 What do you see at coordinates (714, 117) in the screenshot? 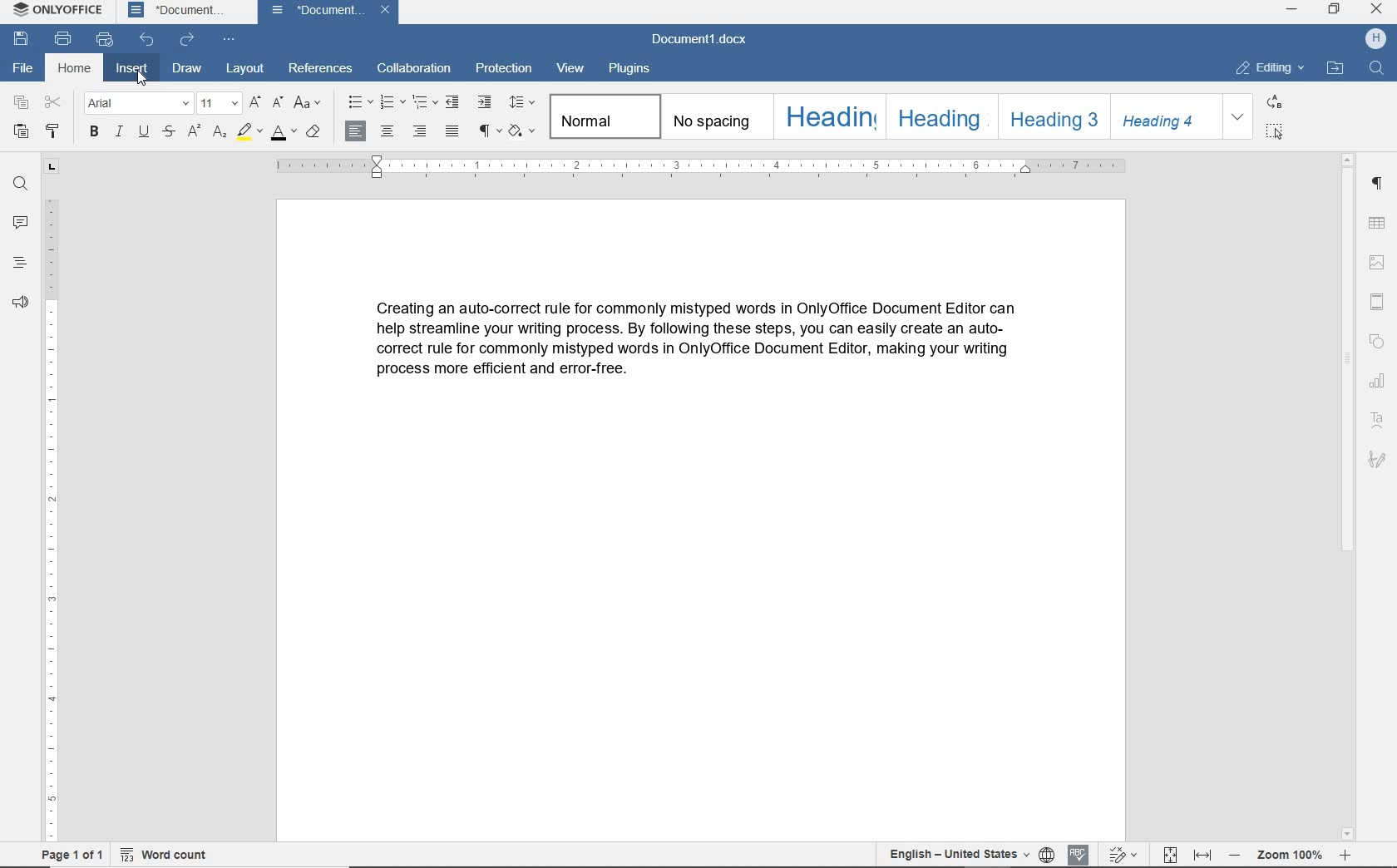
I see `no spacing` at bounding box center [714, 117].